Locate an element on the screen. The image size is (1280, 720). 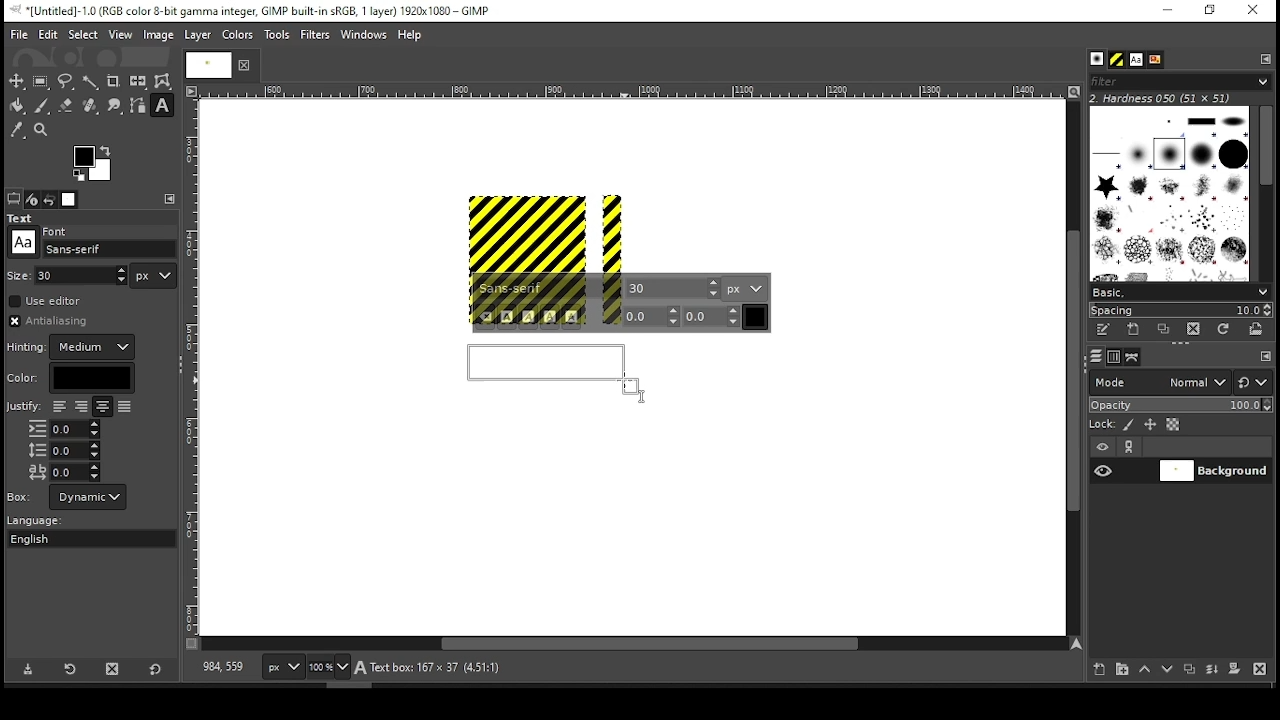
font is located at coordinates (110, 249).